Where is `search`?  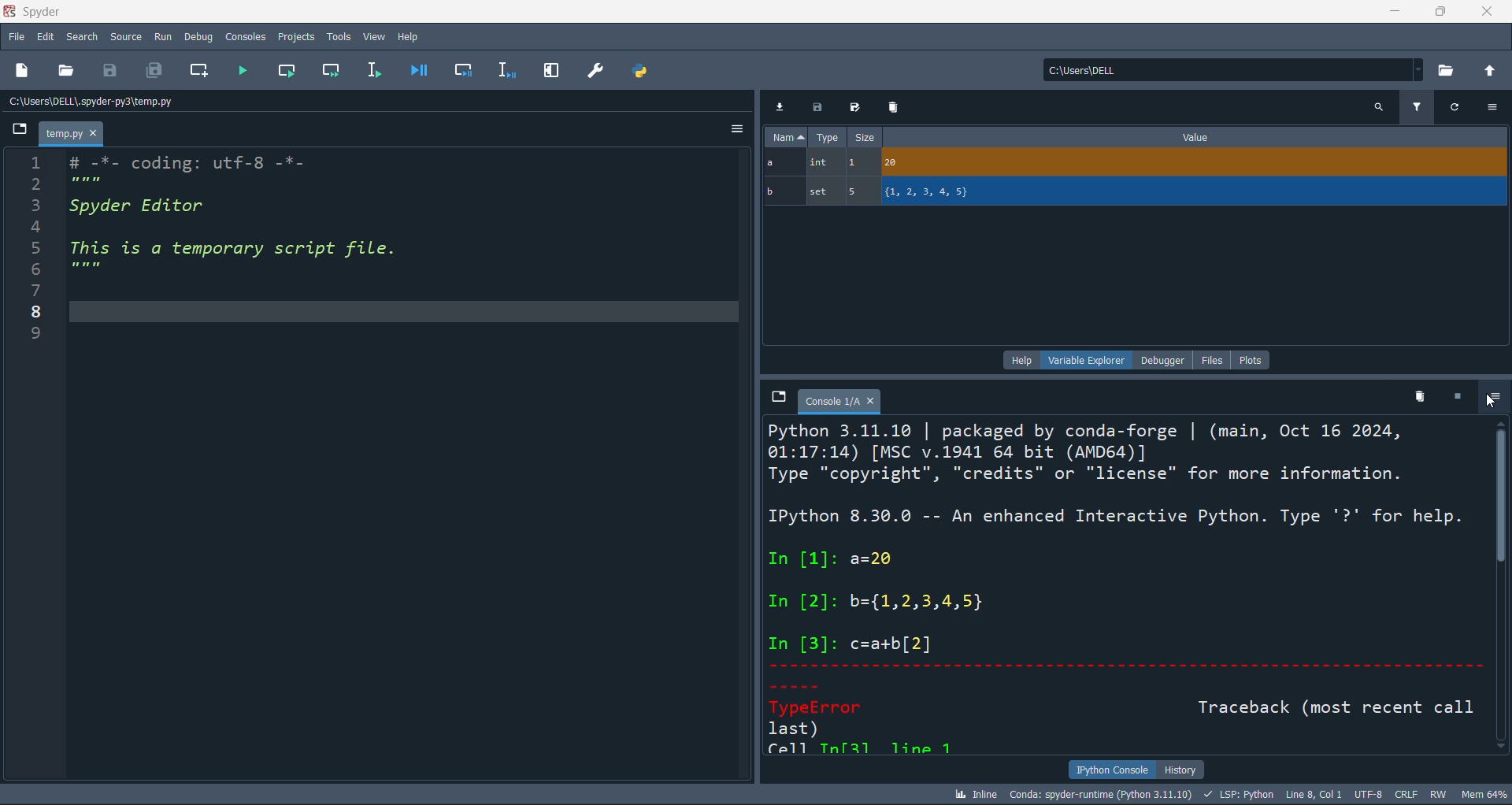
search is located at coordinates (1378, 106).